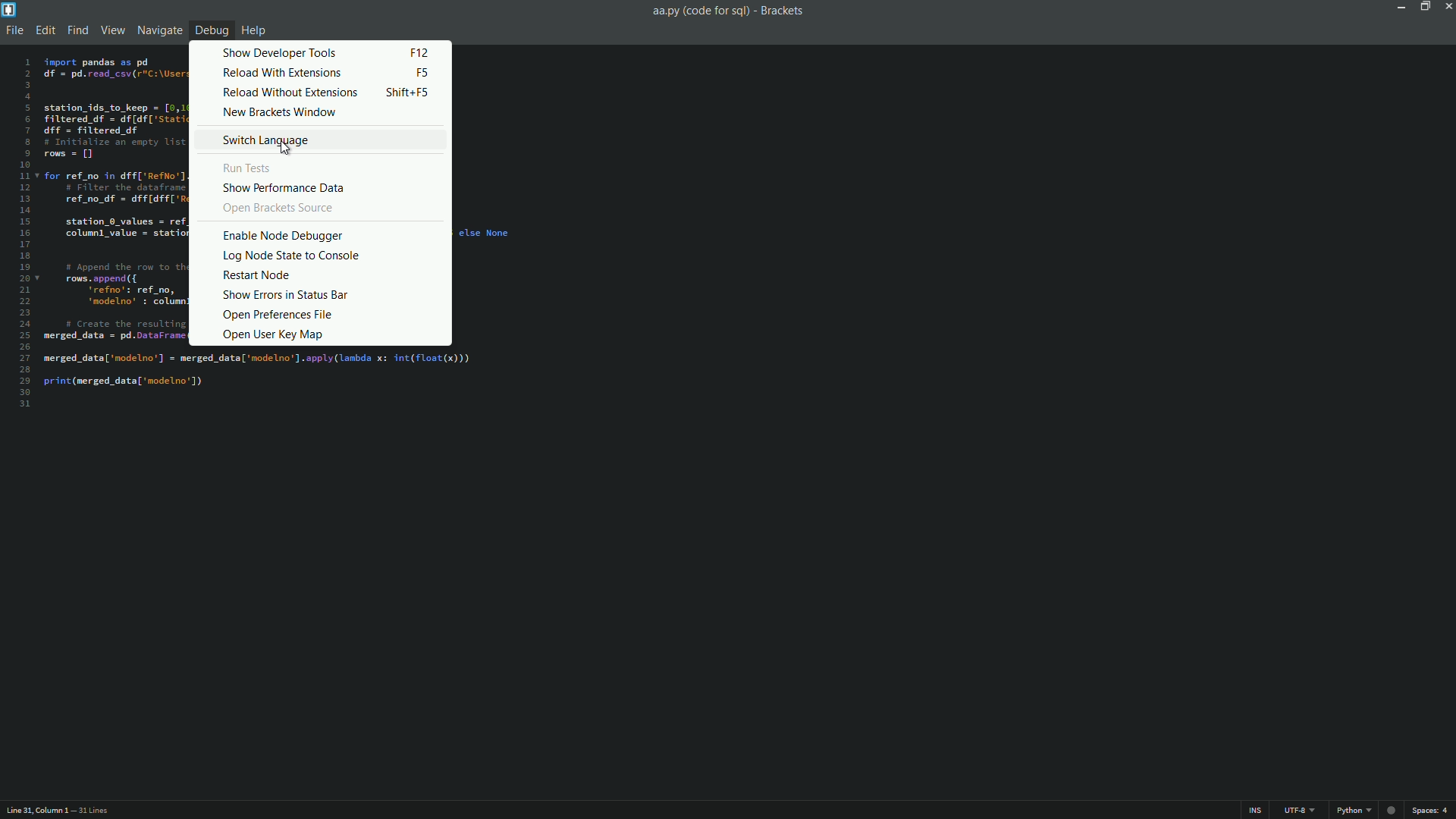  I want to click on number of lines, so click(93, 812).